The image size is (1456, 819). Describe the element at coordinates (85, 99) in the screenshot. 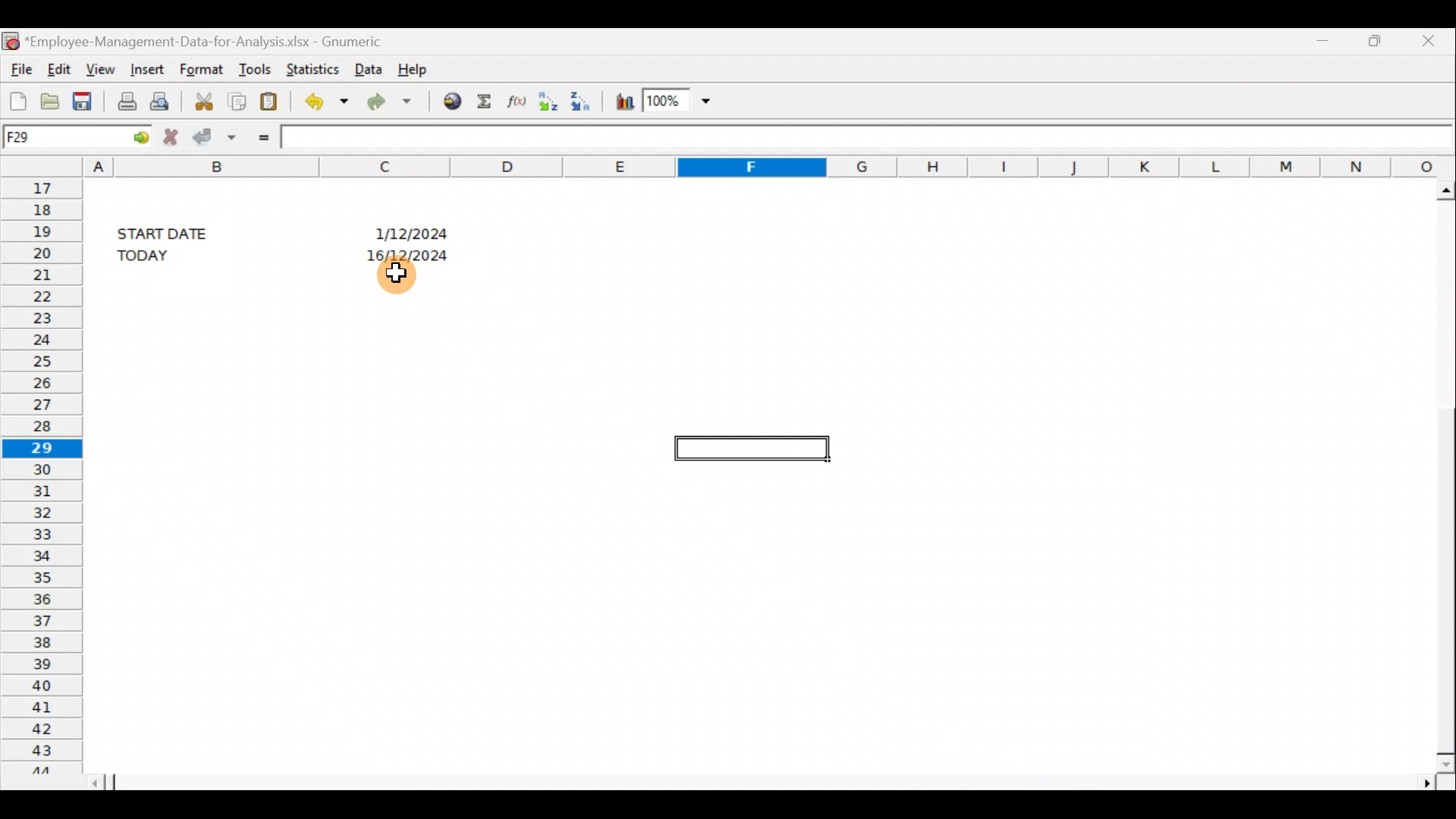

I see `Save the current workbook` at that location.